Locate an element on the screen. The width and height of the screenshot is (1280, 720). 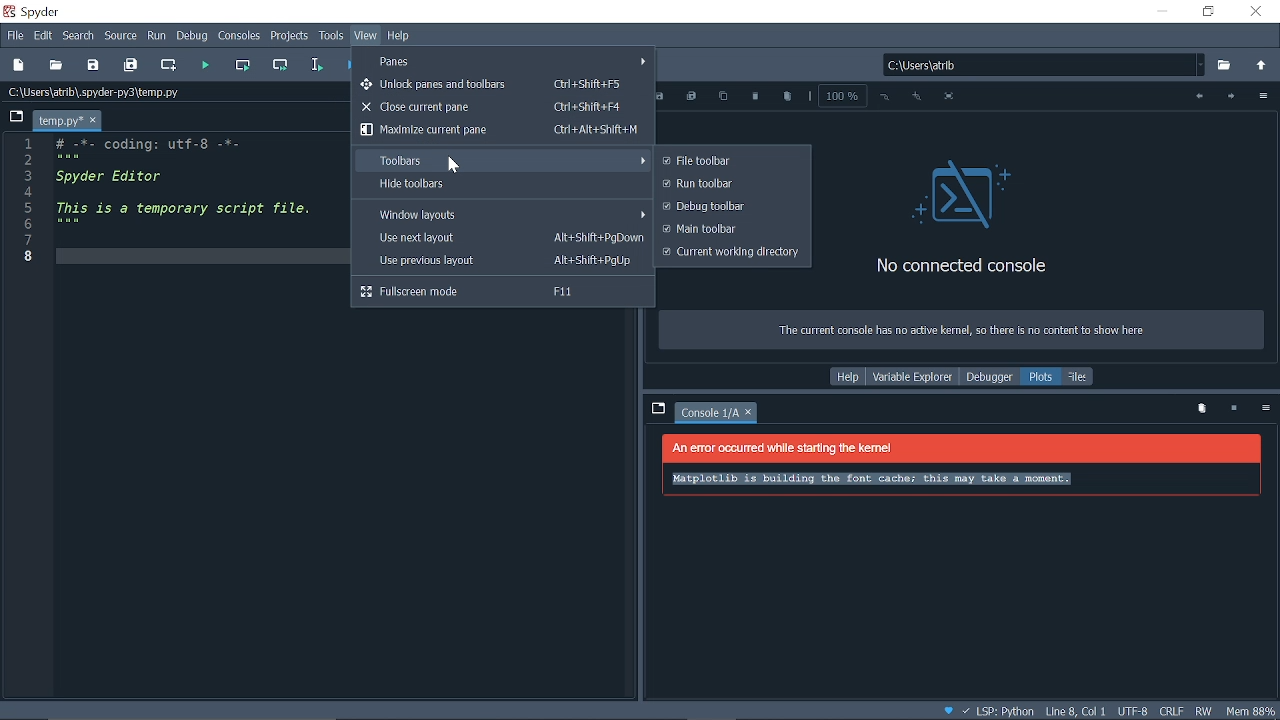
Plots is located at coordinates (1042, 377).